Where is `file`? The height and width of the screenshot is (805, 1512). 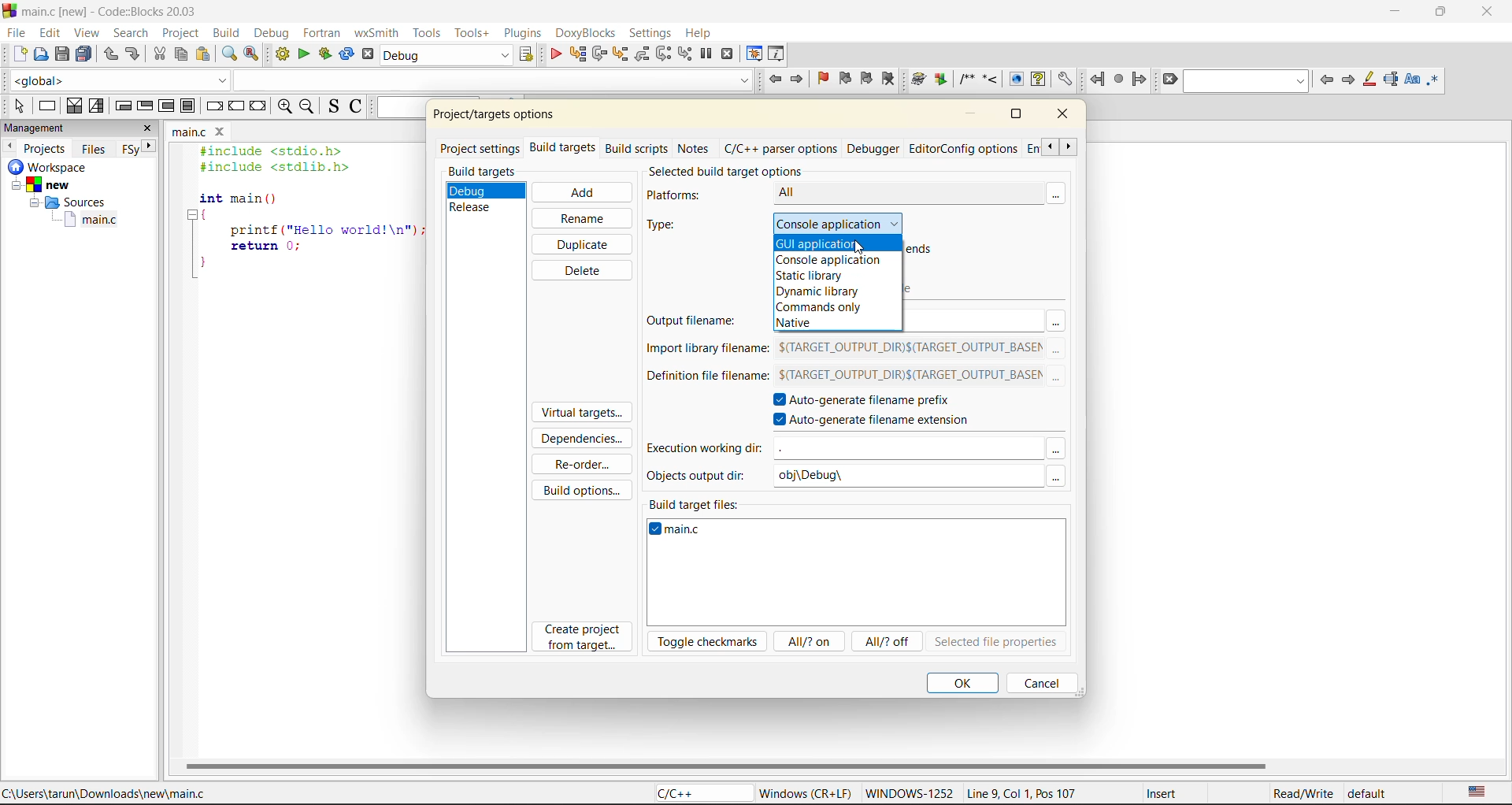
file is located at coordinates (14, 34).